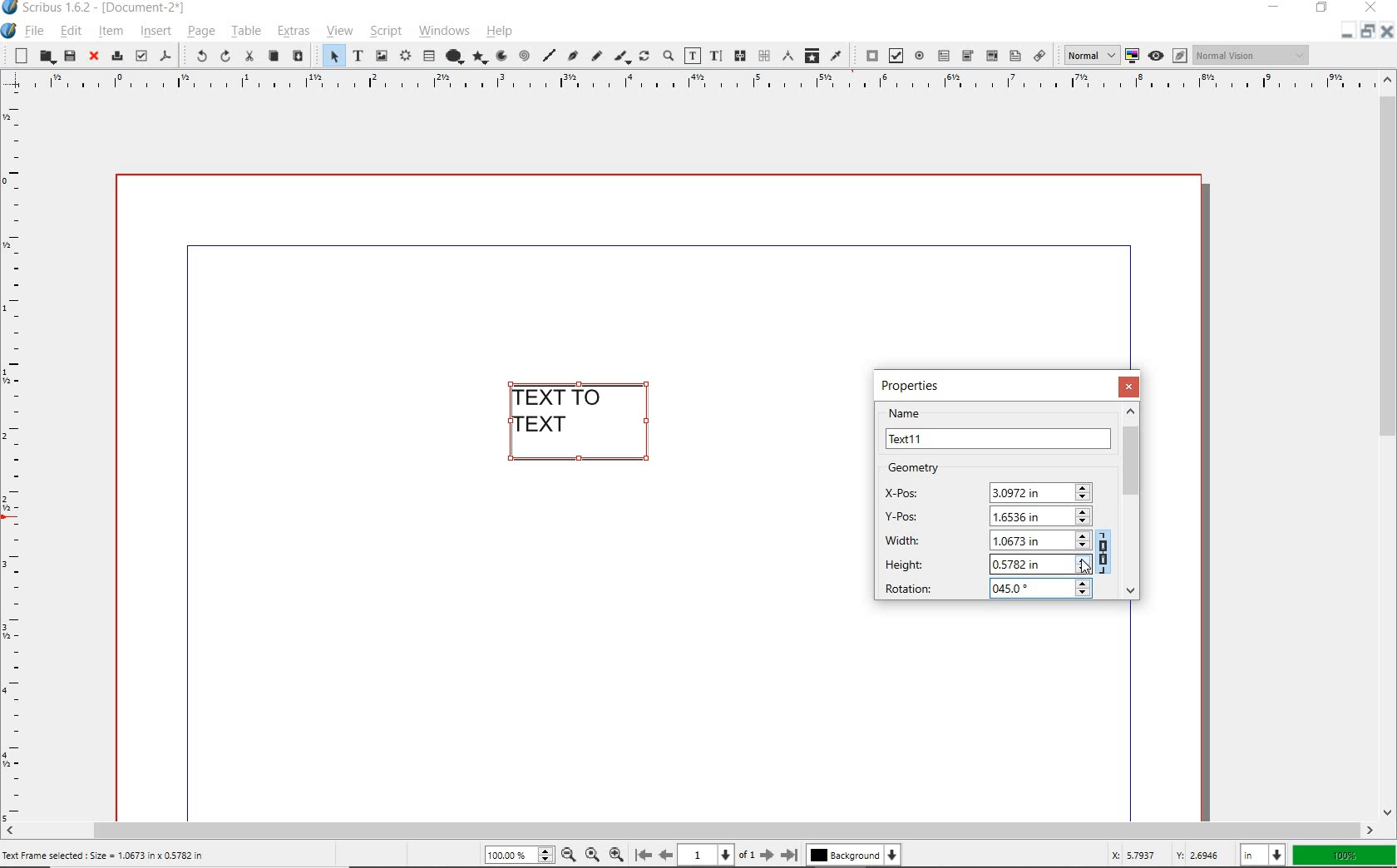  What do you see at coordinates (428, 56) in the screenshot?
I see `table` at bounding box center [428, 56].